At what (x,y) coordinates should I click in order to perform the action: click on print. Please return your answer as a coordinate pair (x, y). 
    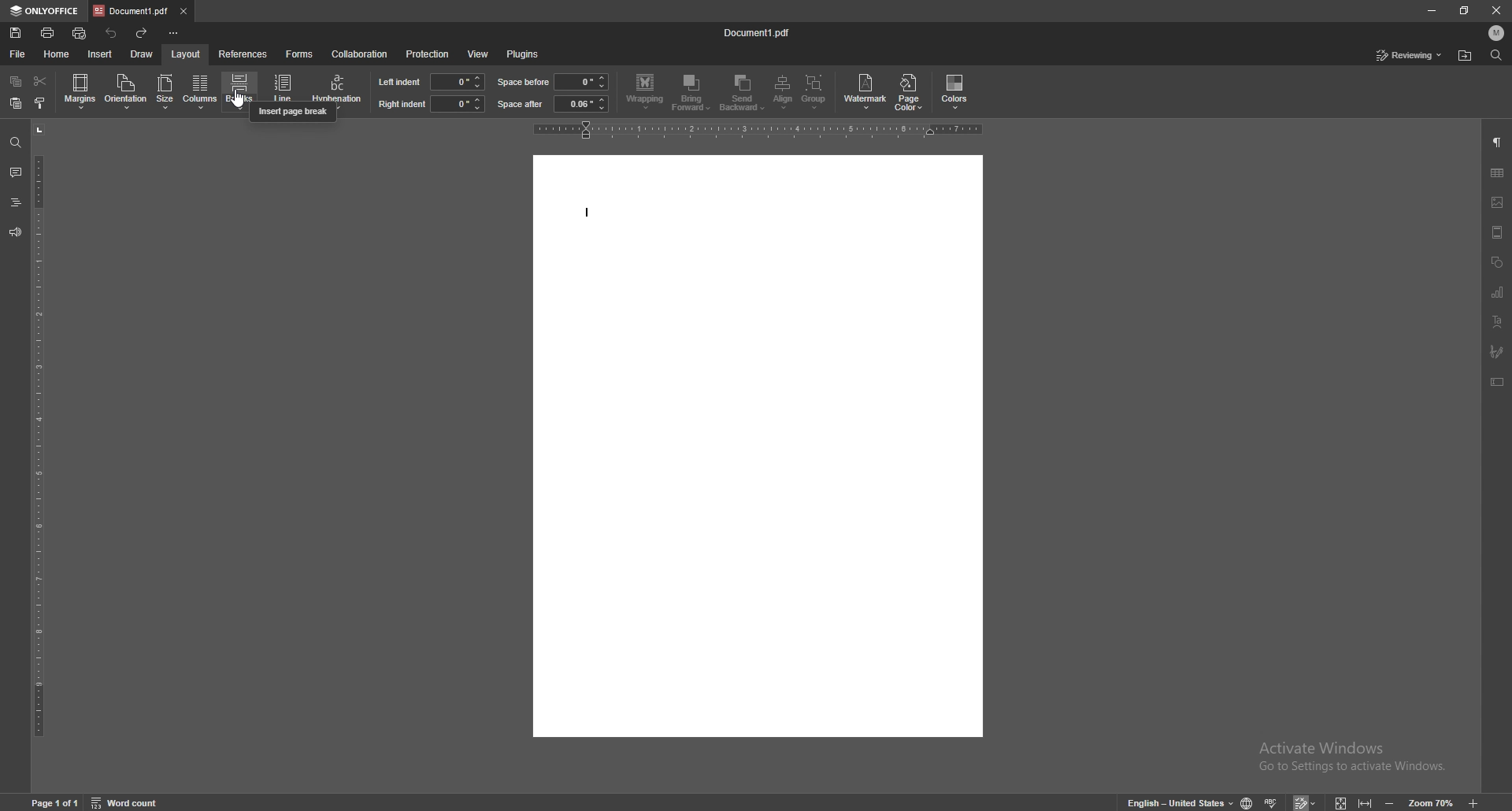
    Looking at the image, I should click on (49, 32).